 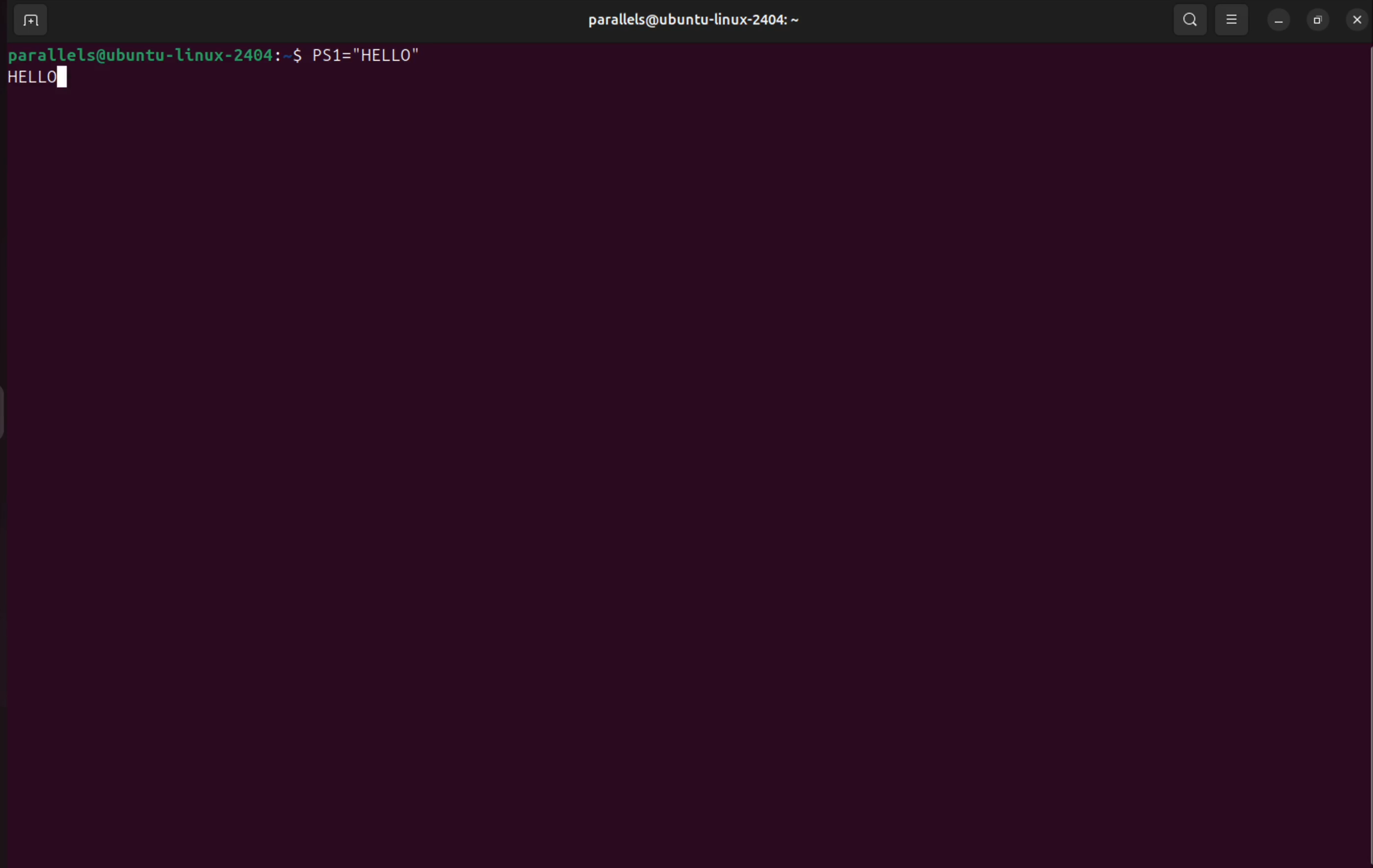 What do you see at coordinates (686, 19) in the screenshot?
I see `parallels username` at bounding box center [686, 19].